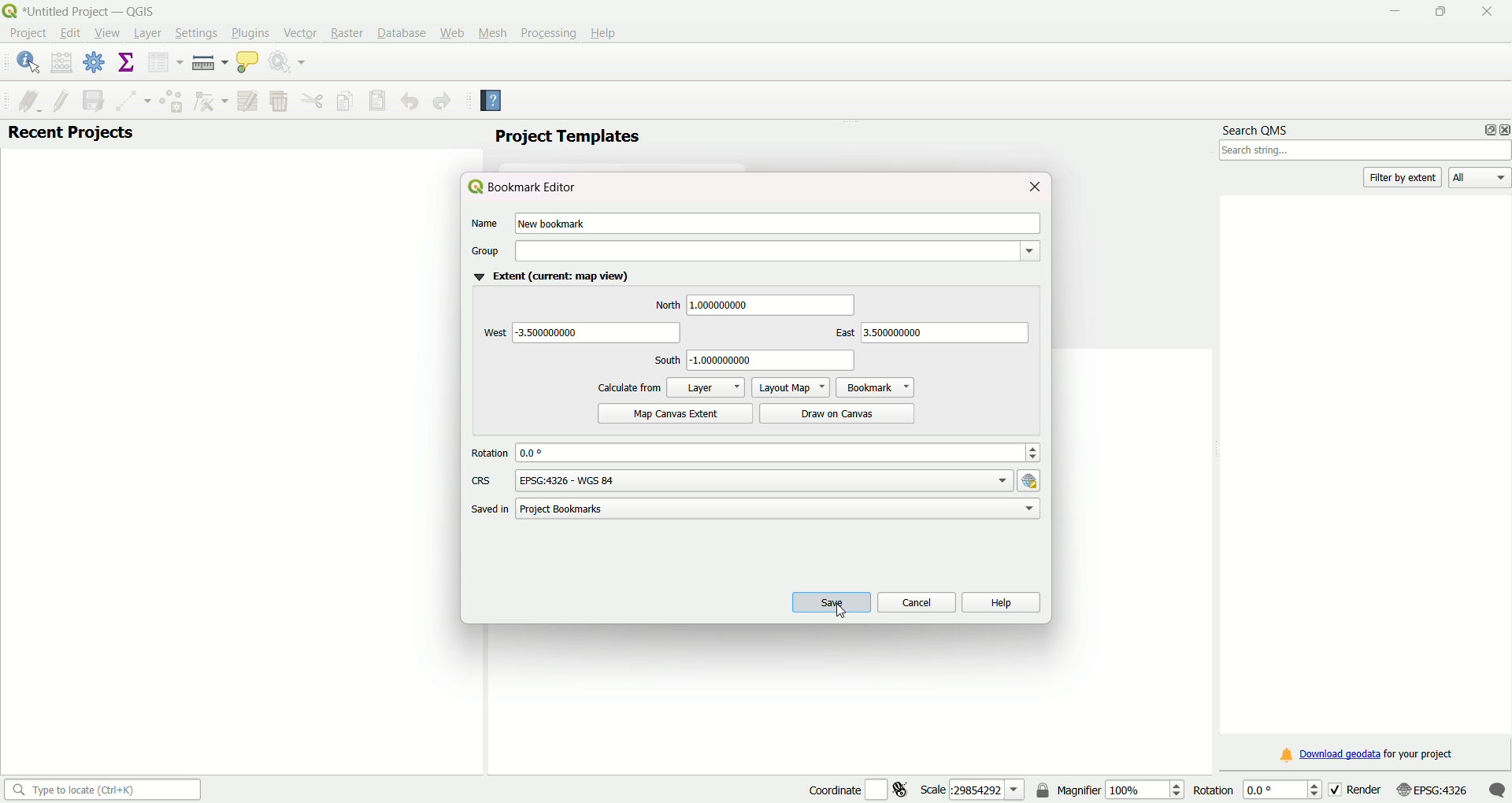 The image size is (1512, 803). I want to click on logo and title, so click(82, 10).